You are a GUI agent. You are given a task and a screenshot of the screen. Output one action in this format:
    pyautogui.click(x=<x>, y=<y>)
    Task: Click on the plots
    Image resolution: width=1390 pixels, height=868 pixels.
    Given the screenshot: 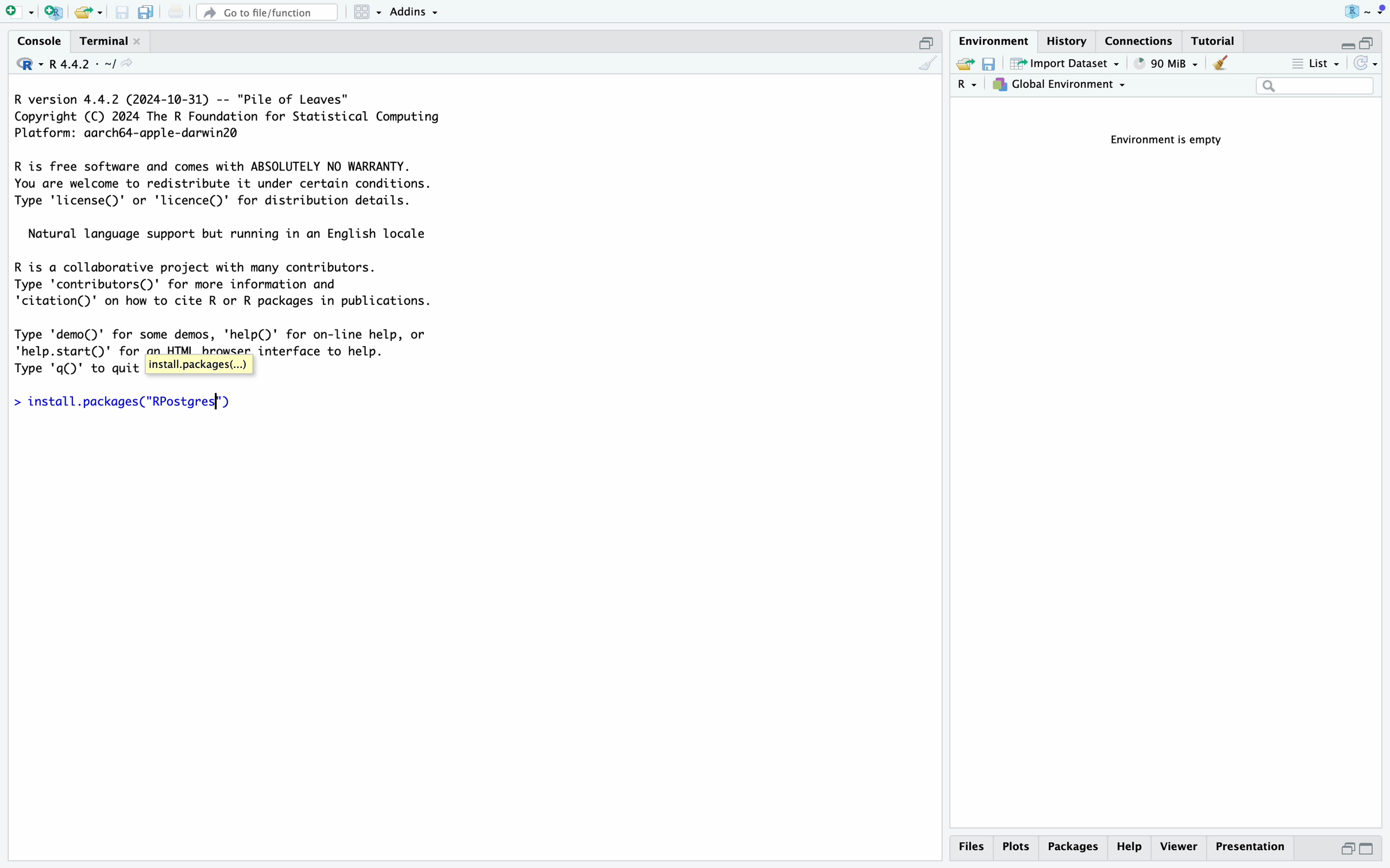 What is the action you would take?
    pyautogui.click(x=1016, y=847)
    